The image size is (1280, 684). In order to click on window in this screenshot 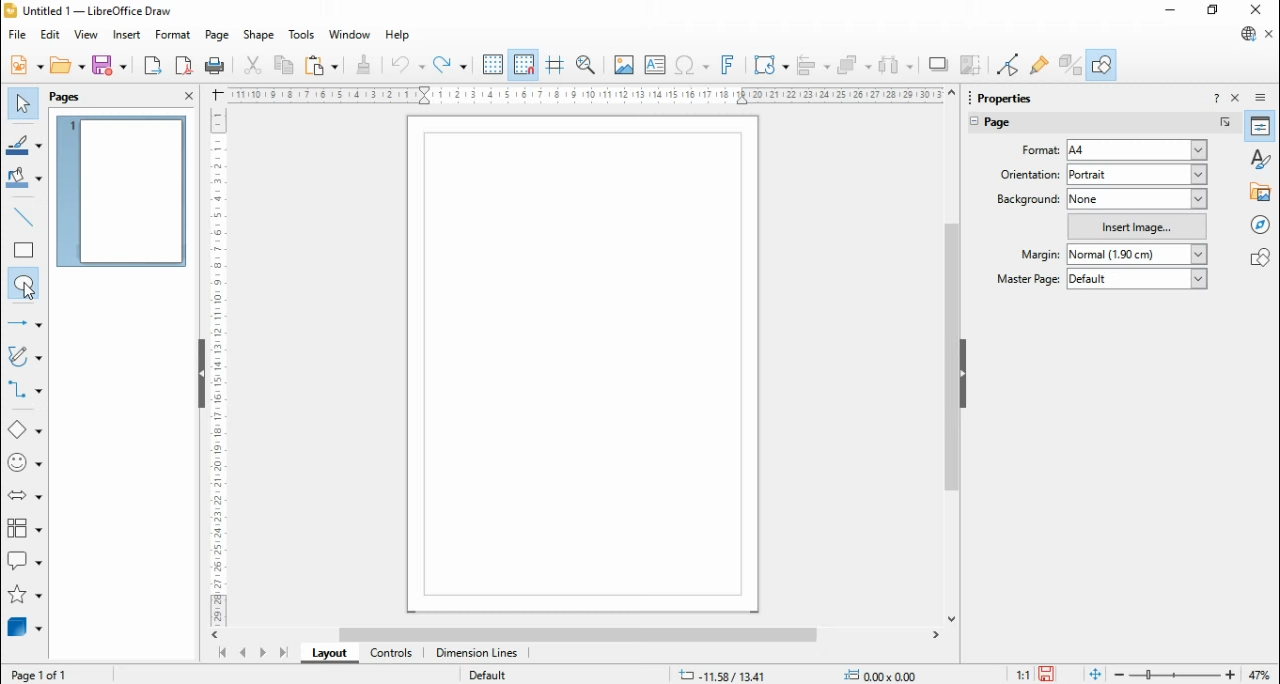, I will do `click(350, 34)`.